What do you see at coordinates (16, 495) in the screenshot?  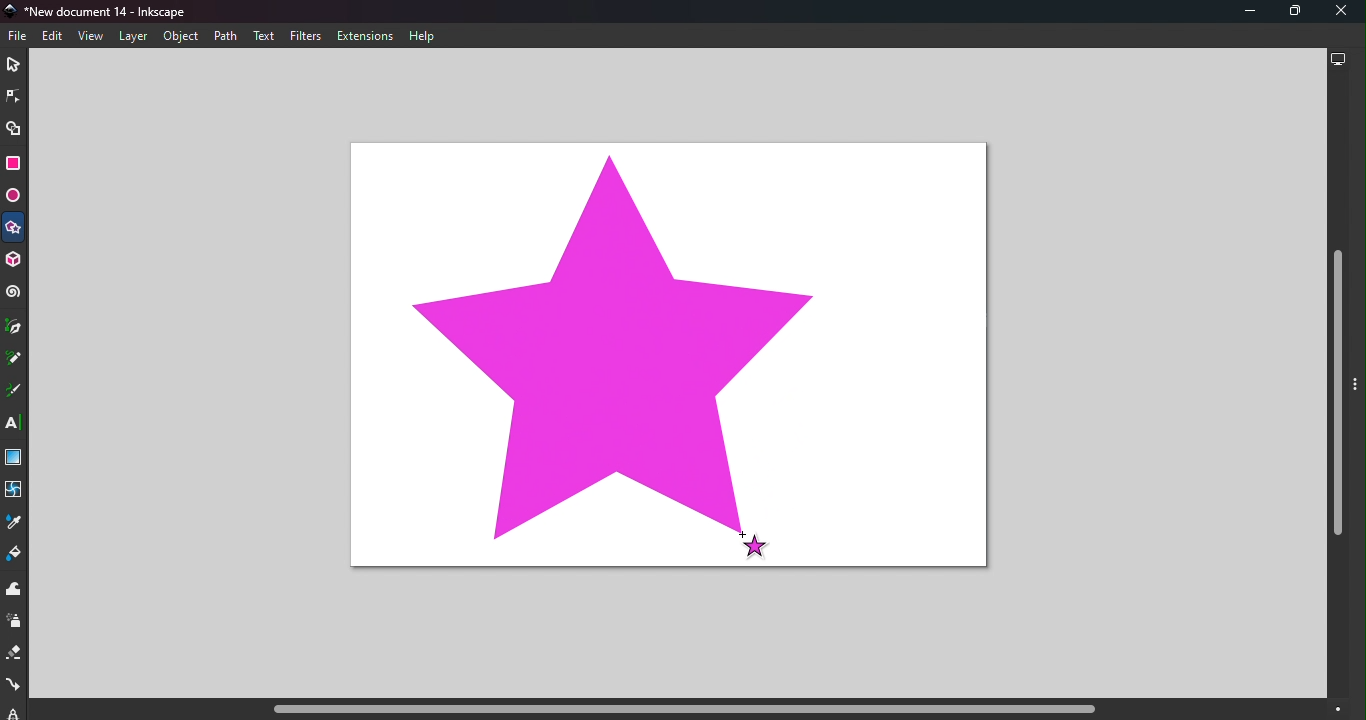 I see `Mesh tool` at bounding box center [16, 495].